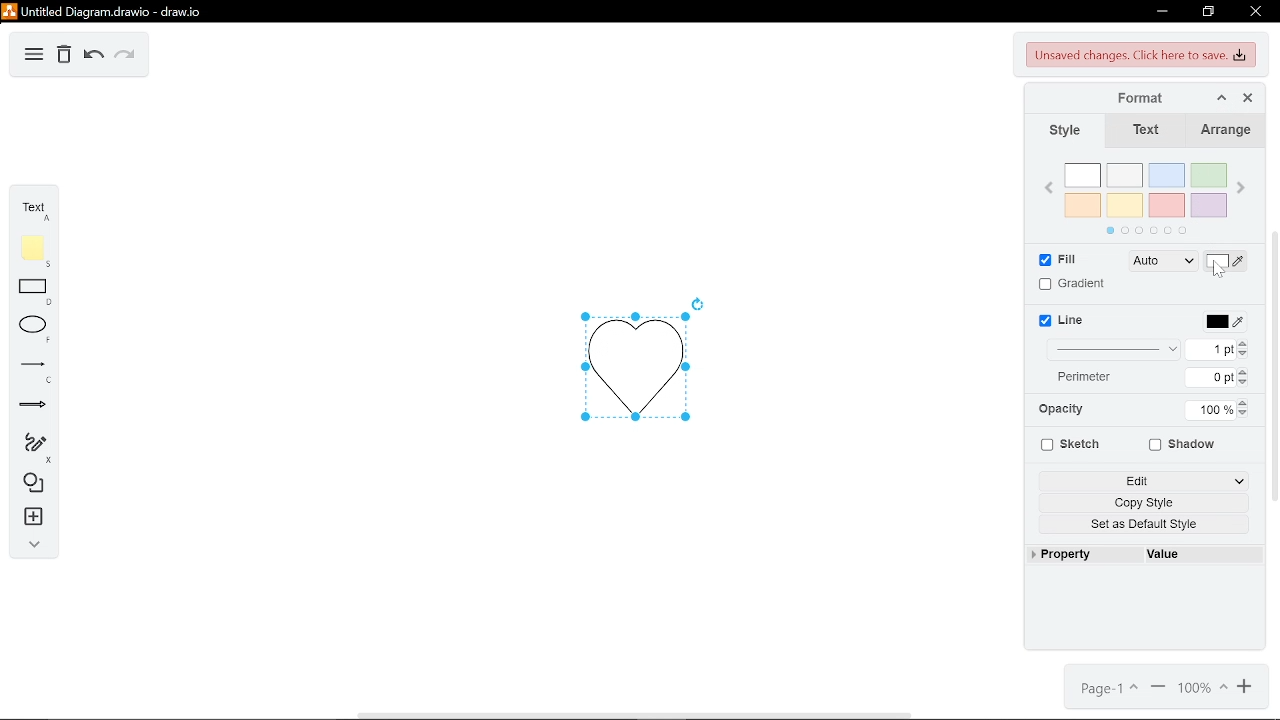 The width and height of the screenshot is (1280, 720). What do you see at coordinates (32, 483) in the screenshot?
I see `shapes` at bounding box center [32, 483].